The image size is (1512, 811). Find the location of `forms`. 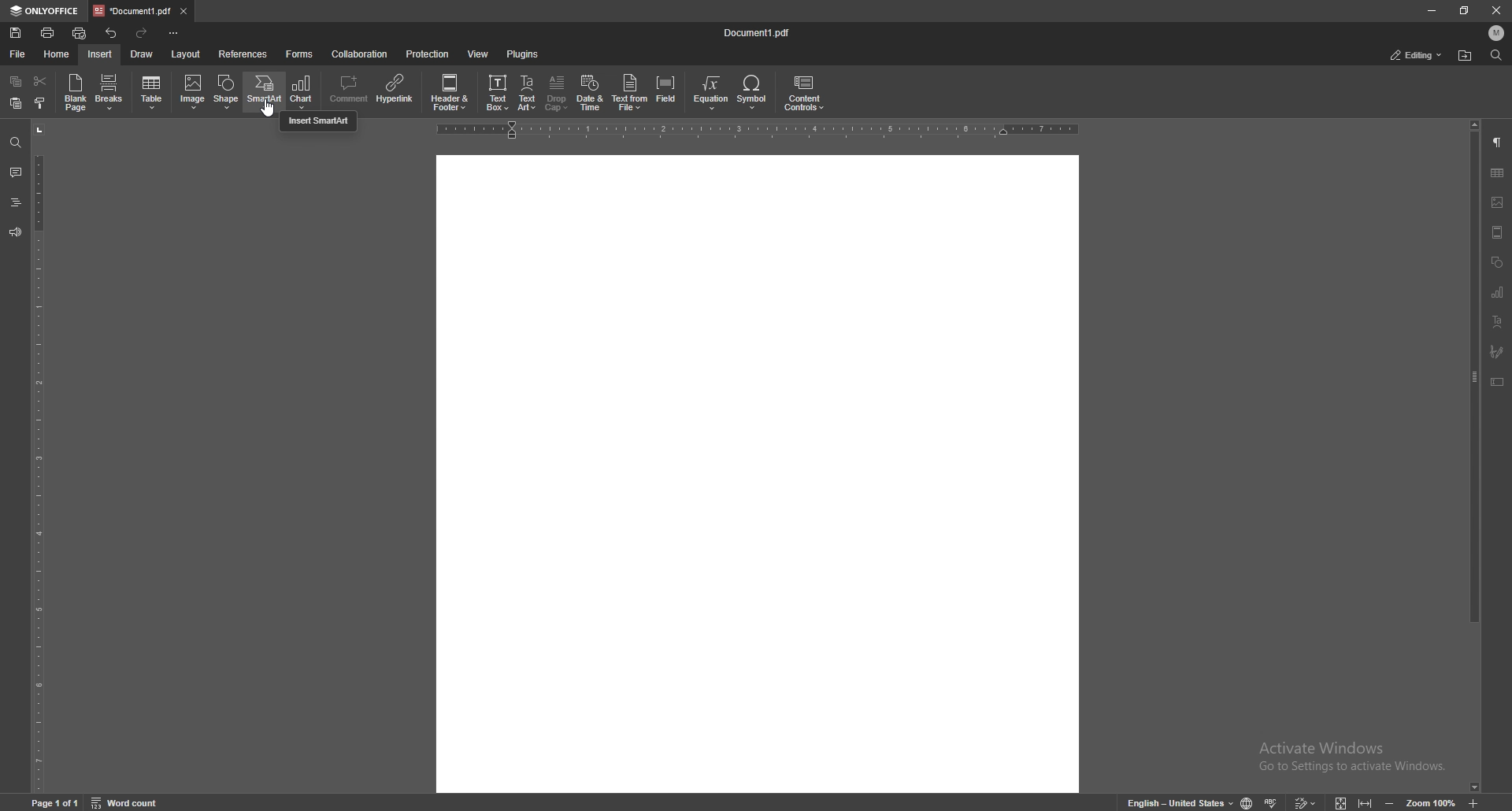

forms is located at coordinates (300, 54).